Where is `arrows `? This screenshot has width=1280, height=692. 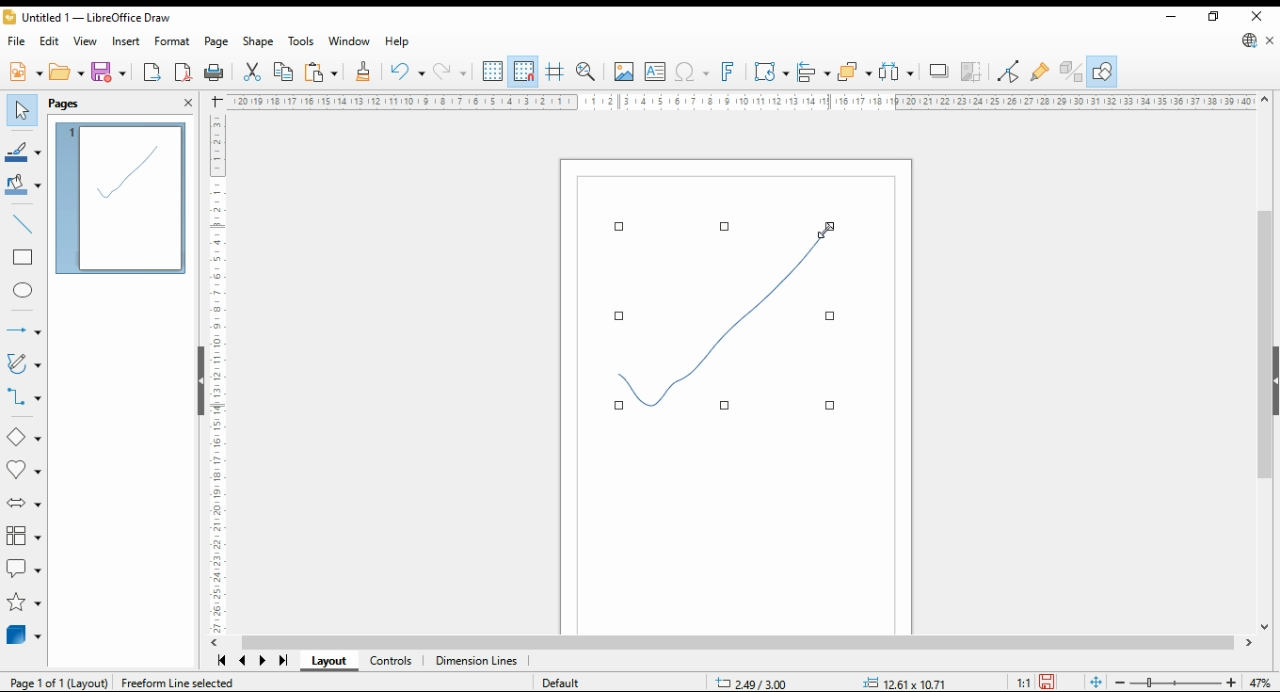
arrows  is located at coordinates (22, 329).